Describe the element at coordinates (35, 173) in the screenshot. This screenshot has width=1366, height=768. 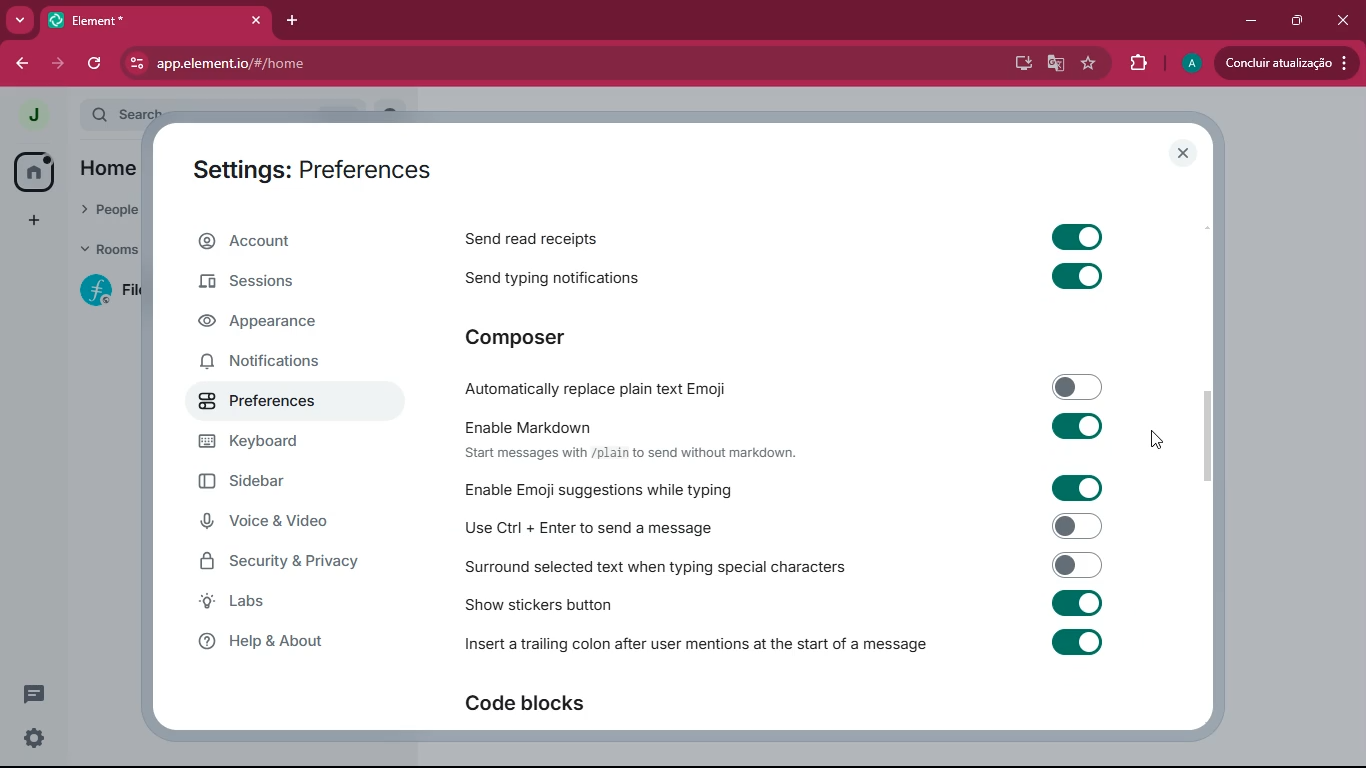
I see `home` at that location.